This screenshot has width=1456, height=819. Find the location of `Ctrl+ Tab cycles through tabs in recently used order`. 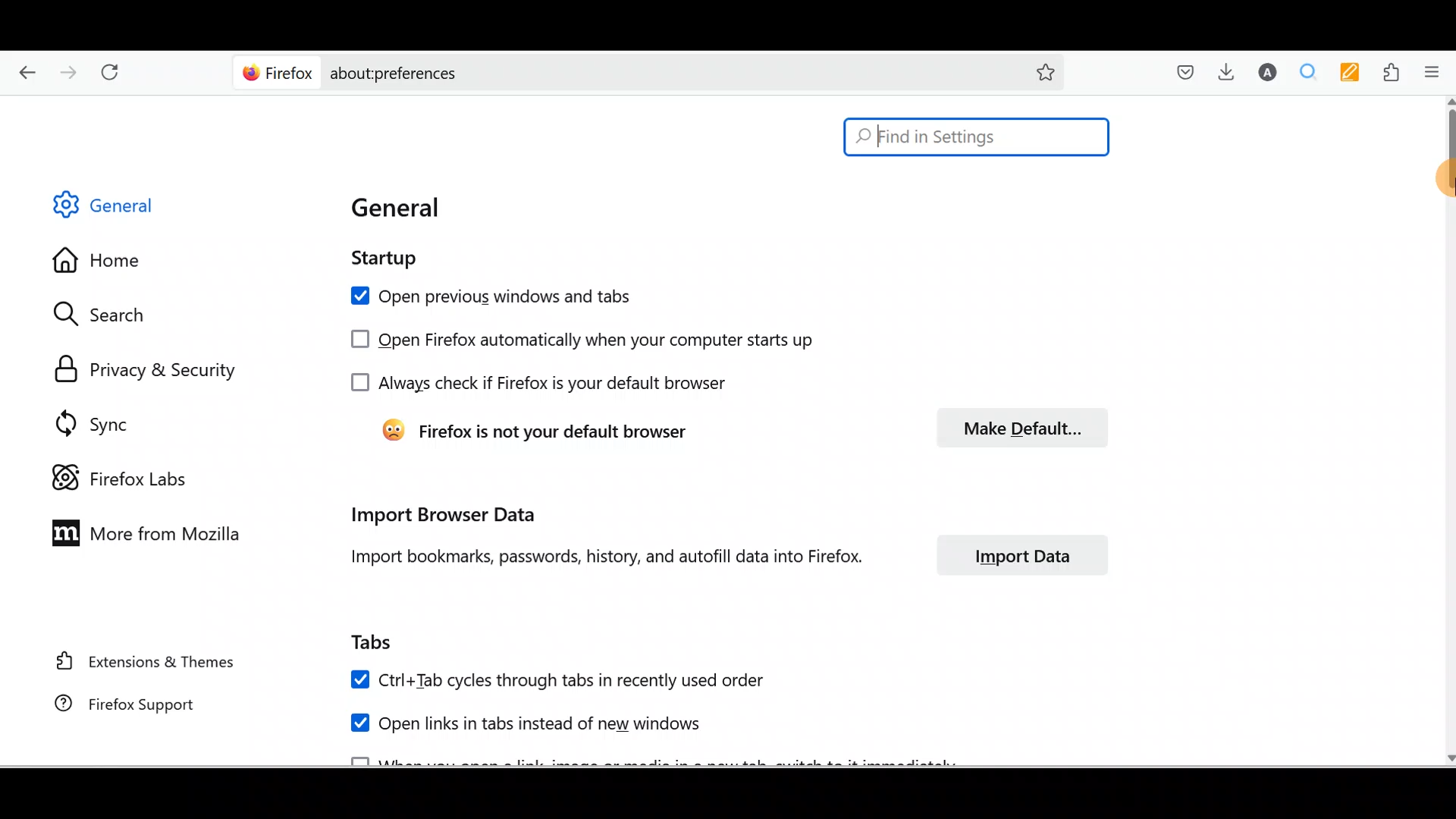

Ctrl+ Tab cycles through tabs in recently used order is located at coordinates (558, 679).